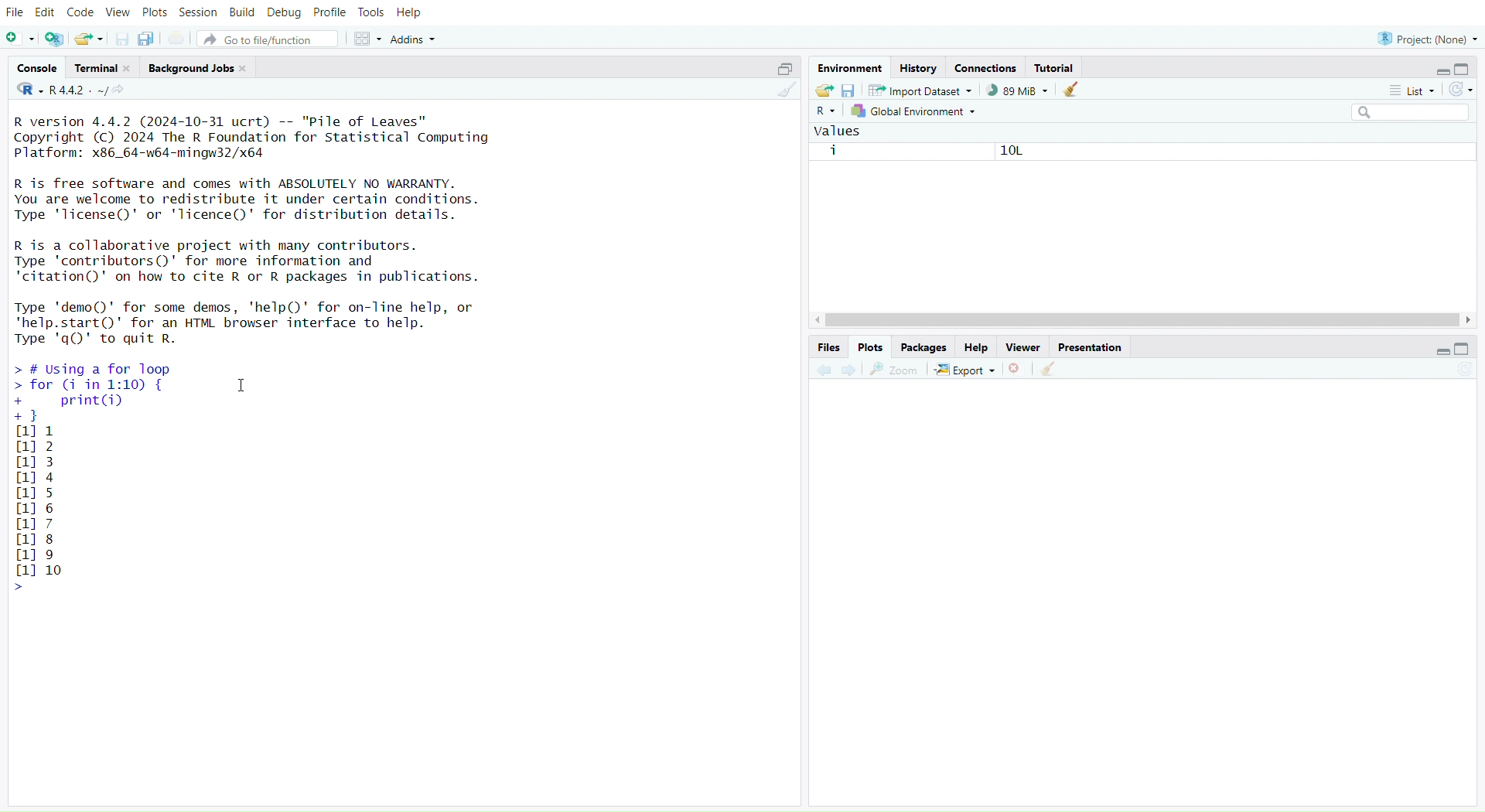  What do you see at coordinates (824, 92) in the screenshot?
I see `load workspace` at bounding box center [824, 92].